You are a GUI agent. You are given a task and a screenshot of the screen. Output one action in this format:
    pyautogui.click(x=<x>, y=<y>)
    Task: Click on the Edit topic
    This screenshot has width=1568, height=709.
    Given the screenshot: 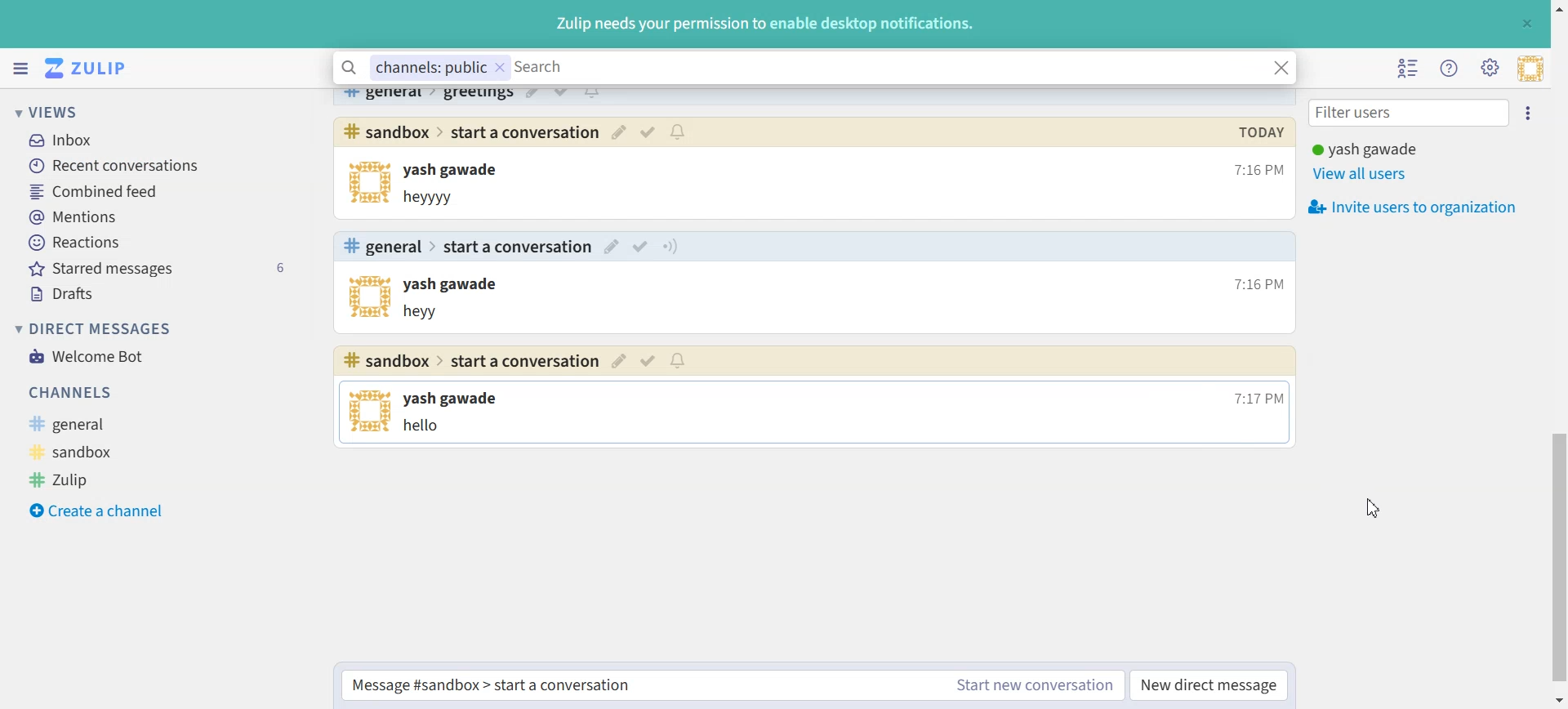 What is the action you would take?
    pyautogui.click(x=620, y=362)
    